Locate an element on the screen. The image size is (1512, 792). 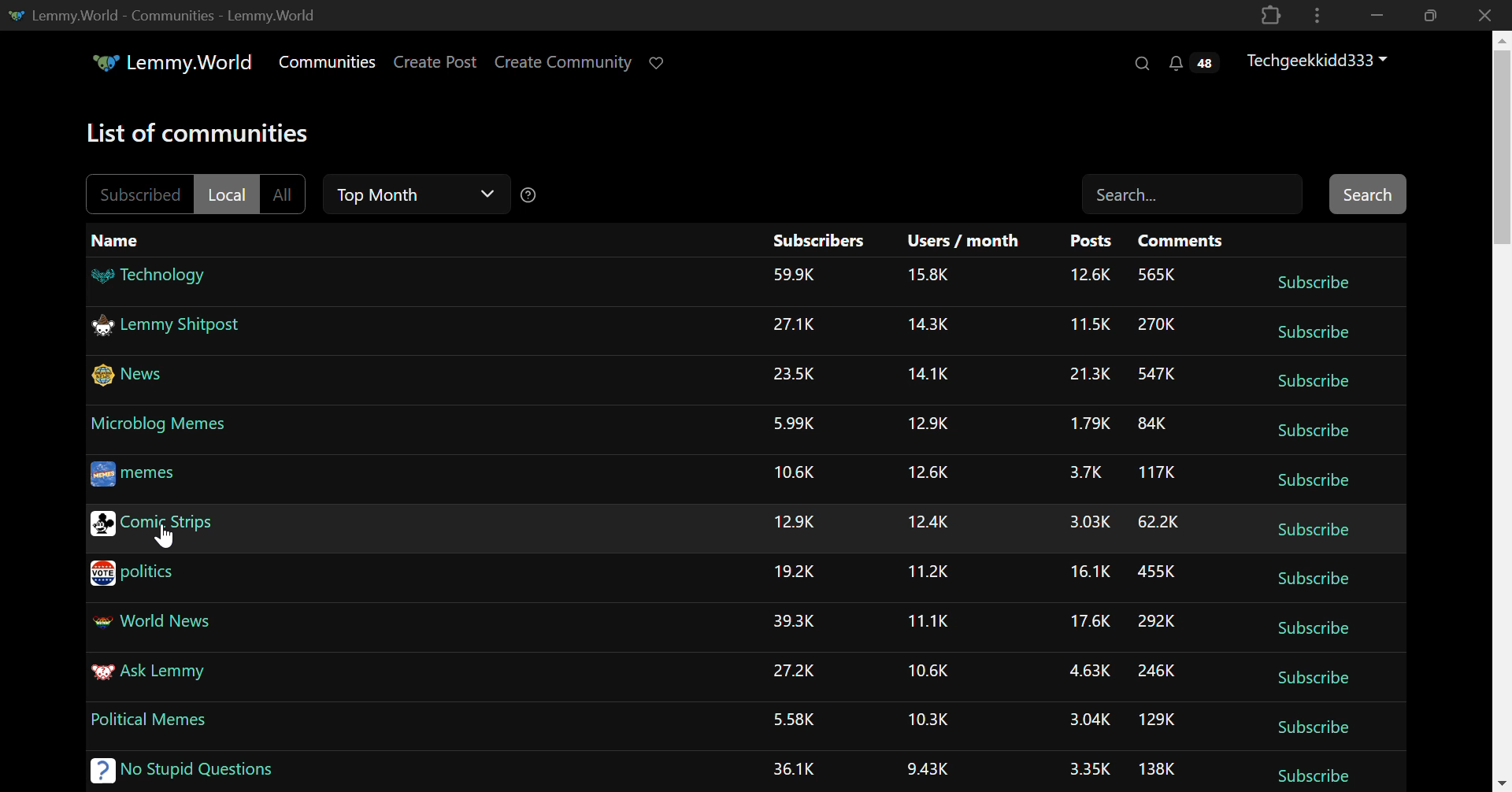
Subscribe is located at coordinates (1313, 579).